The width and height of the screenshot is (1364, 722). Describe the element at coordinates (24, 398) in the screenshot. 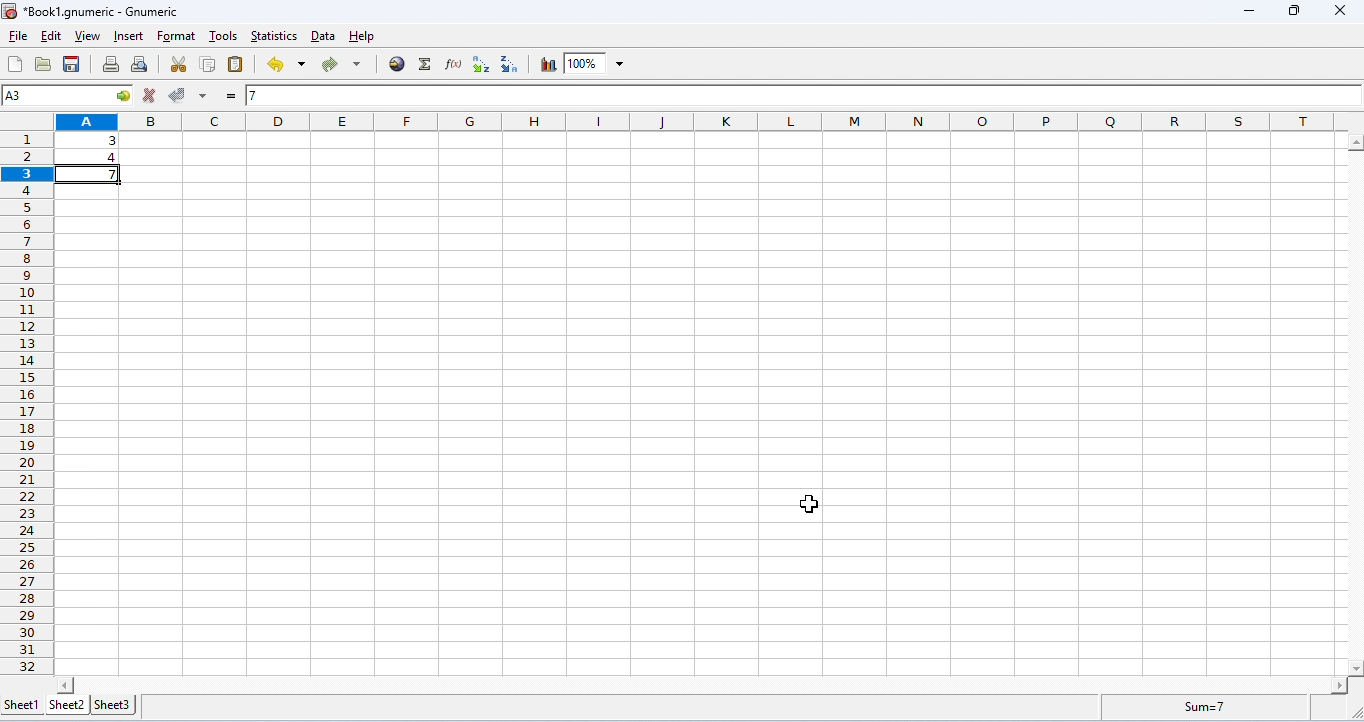

I see `row numbers` at that location.